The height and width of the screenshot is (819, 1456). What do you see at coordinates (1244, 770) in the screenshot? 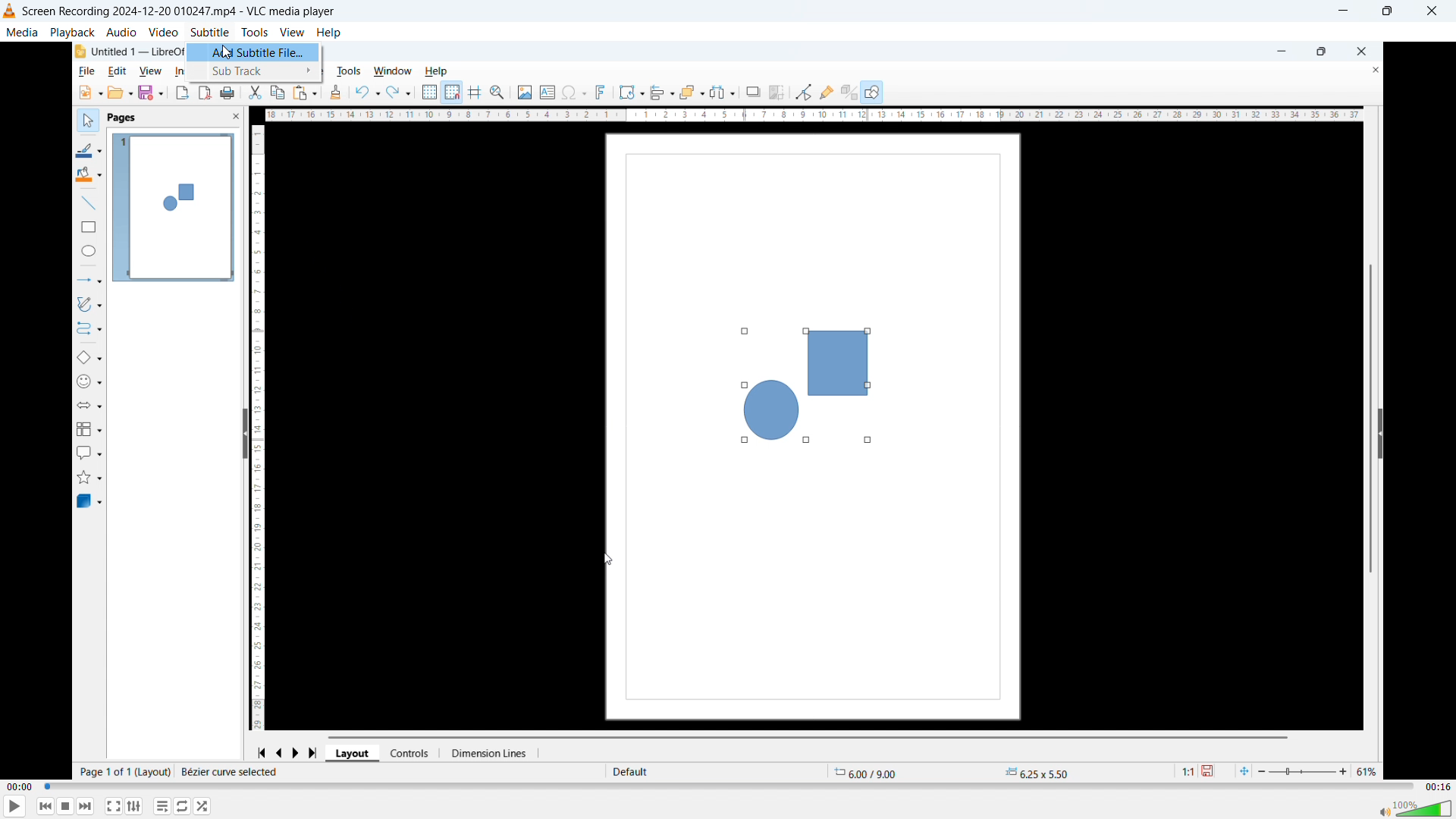
I see `fit page to current window` at bounding box center [1244, 770].